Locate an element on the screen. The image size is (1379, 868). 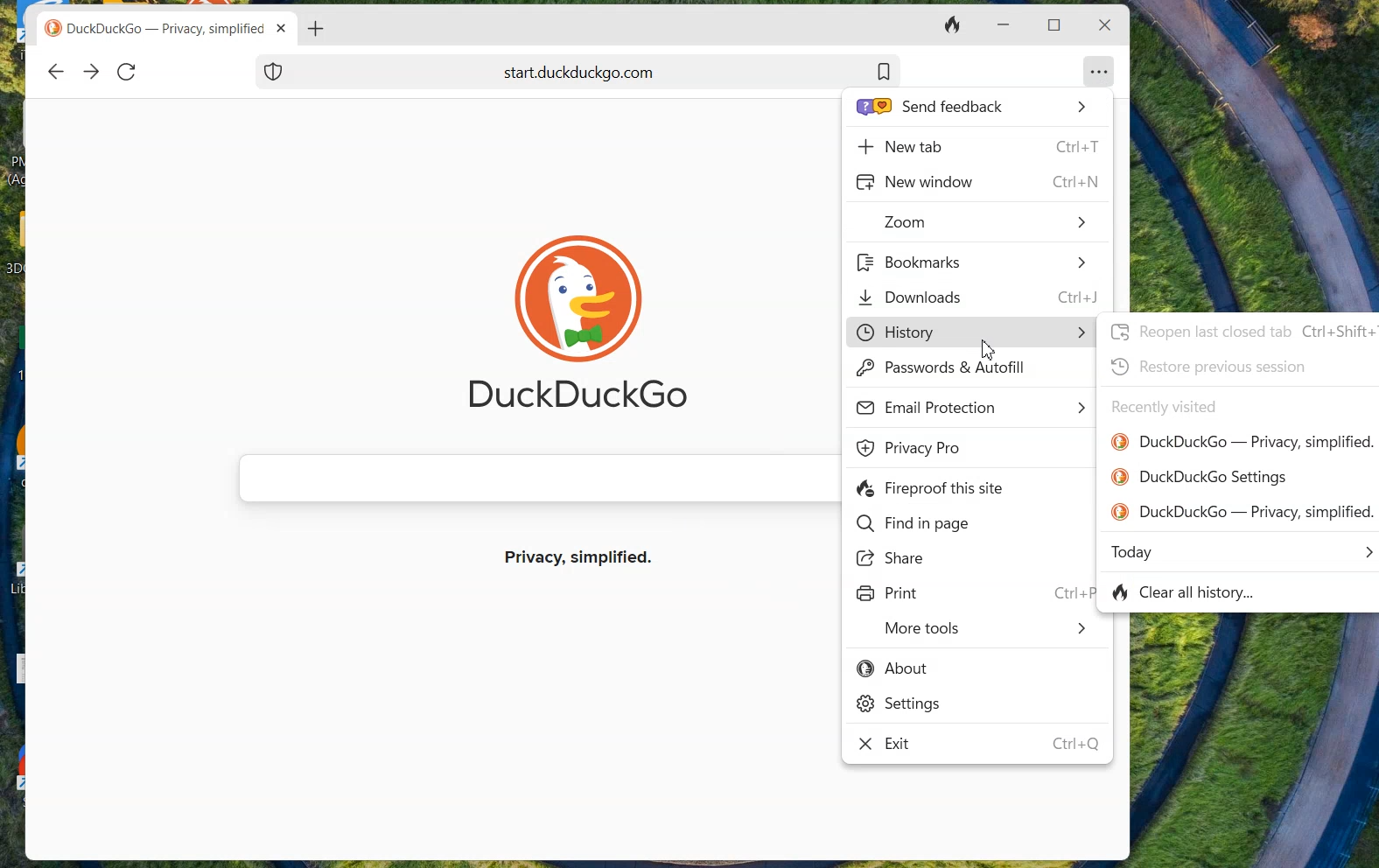
DuckDuckGo Settings is located at coordinates (1200, 477).